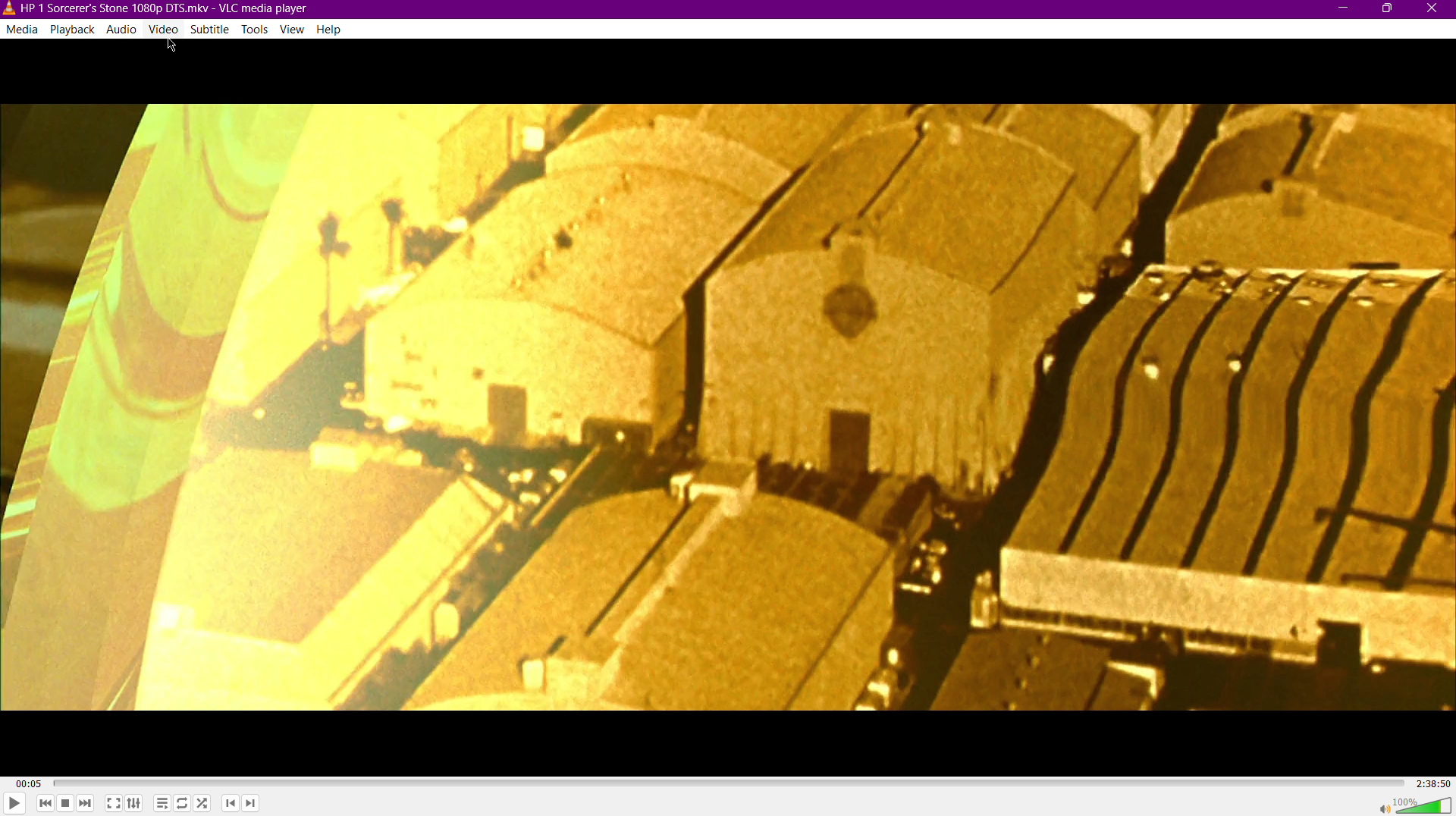 This screenshot has height=816, width=1456. Describe the element at coordinates (182, 802) in the screenshot. I see `Toggle Loop` at that location.